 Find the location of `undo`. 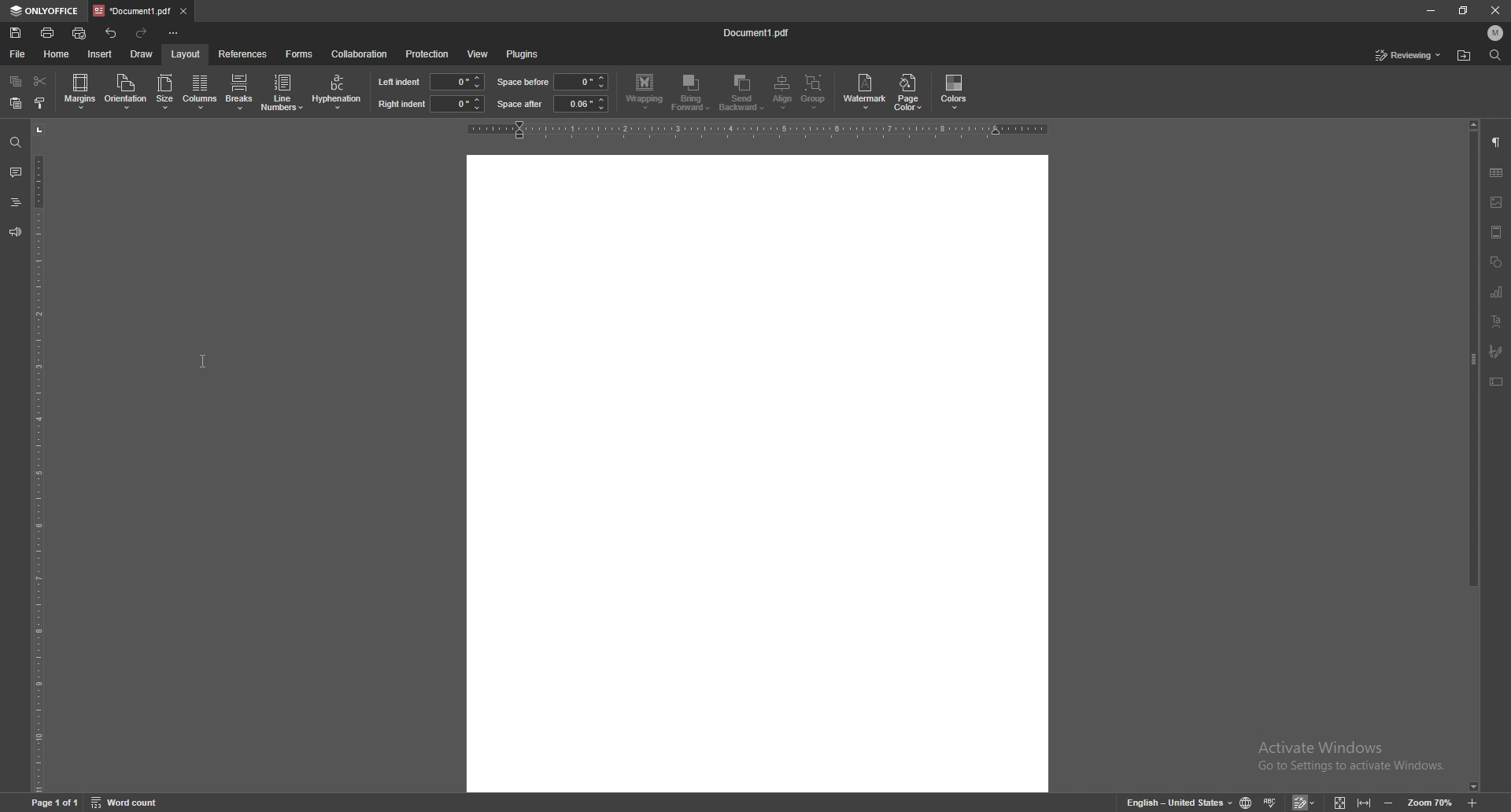

undo is located at coordinates (112, 33).